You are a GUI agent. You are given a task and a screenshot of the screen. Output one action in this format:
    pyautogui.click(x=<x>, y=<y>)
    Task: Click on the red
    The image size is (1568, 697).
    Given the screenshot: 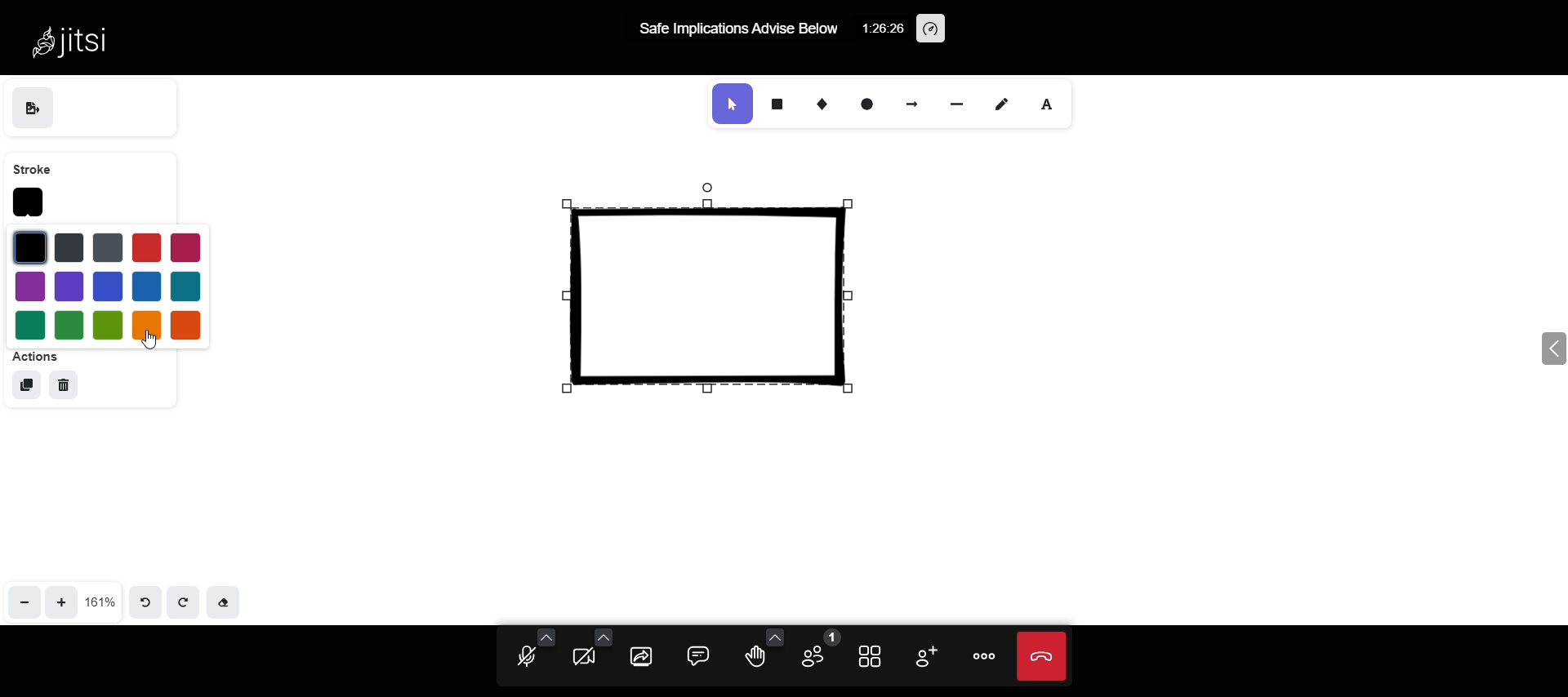 What is the action you would take?
    pyautogui.click(x=146, y=247)
    